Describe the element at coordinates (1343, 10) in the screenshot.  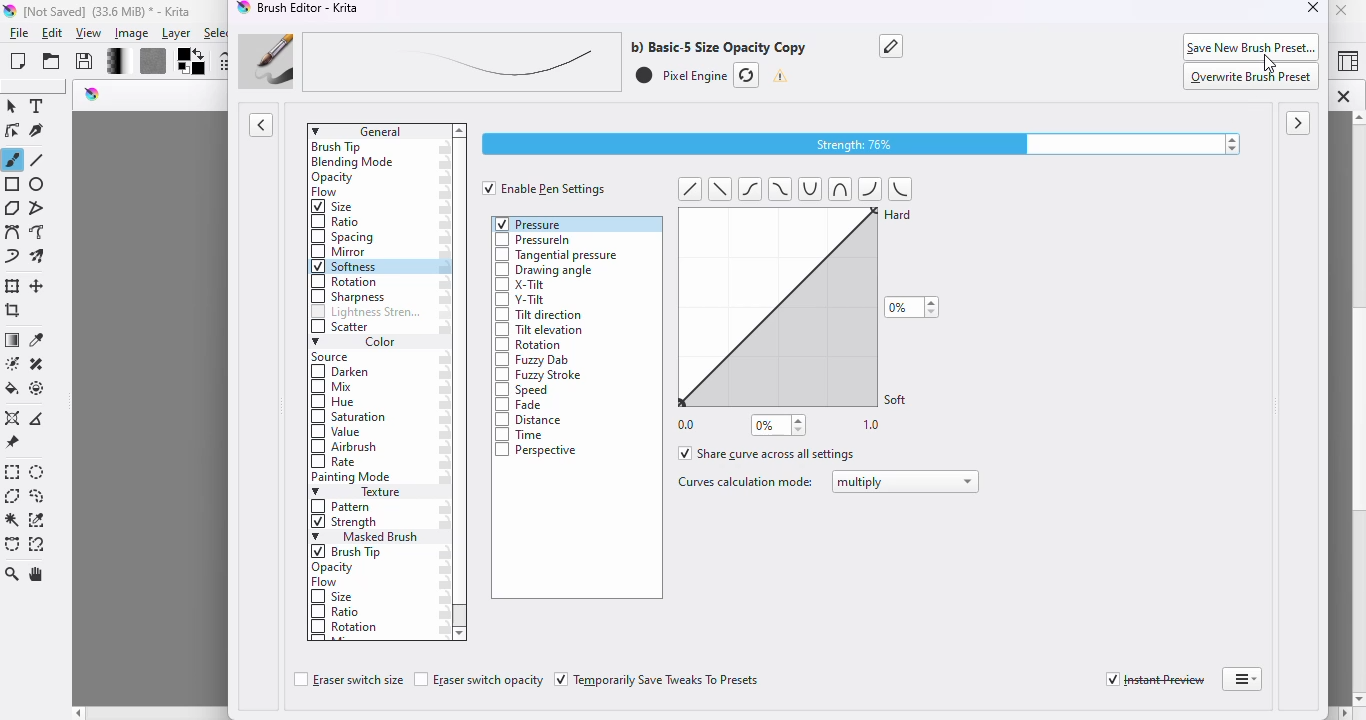
I see `close` at that location.